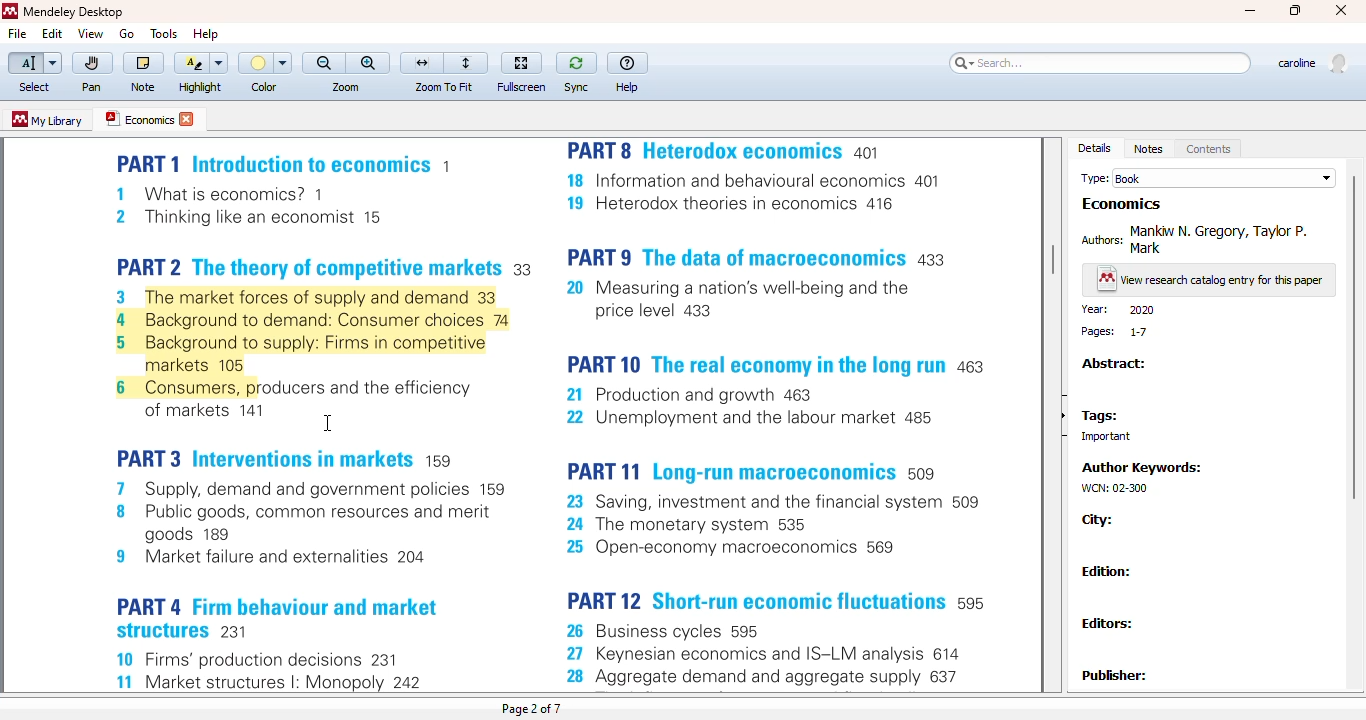 Image resolution: width=1366 pixels, height=720 pixels. Describe the element at coordinates (1199, 238) in the screenshot. I see `authors: Mankiw N. Gregory Taylor P. Mark` at that location.